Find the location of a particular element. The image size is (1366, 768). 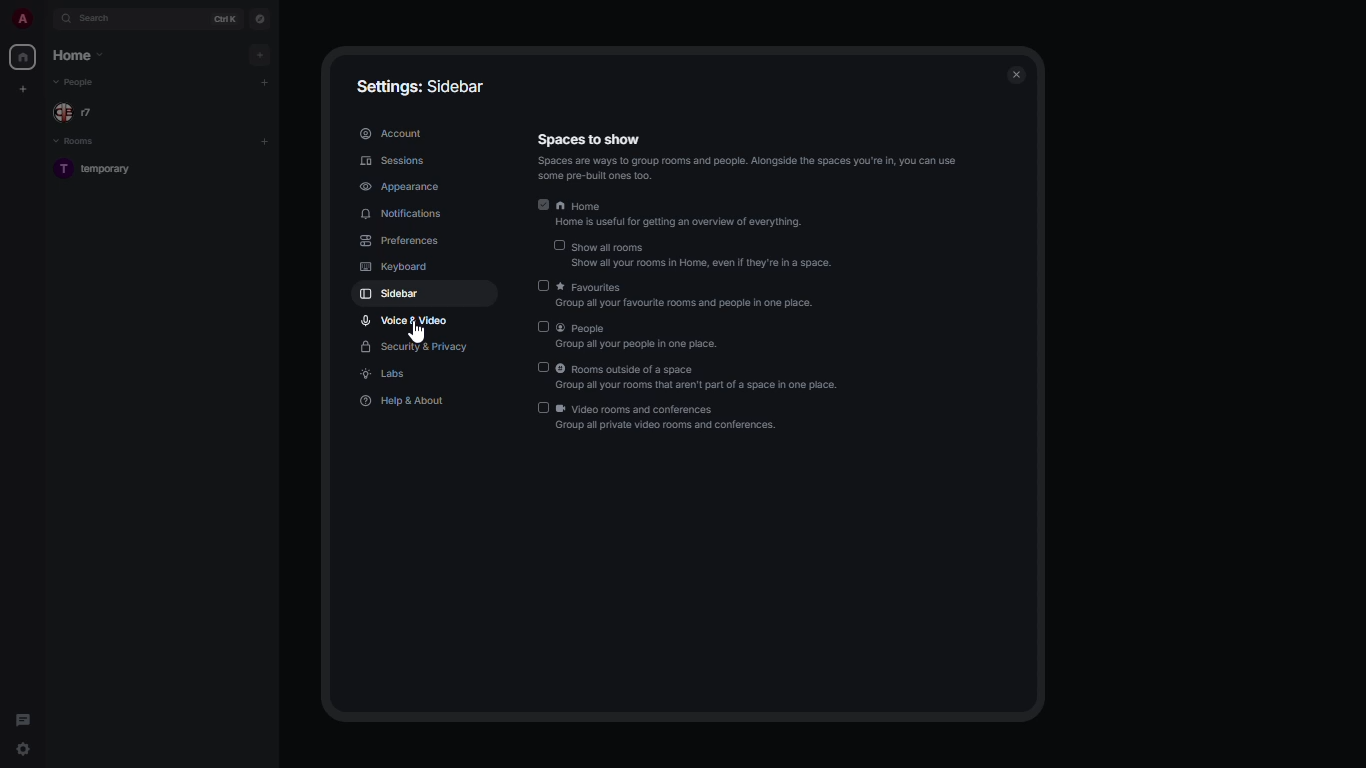

close is located at coordinates (1014, 75).